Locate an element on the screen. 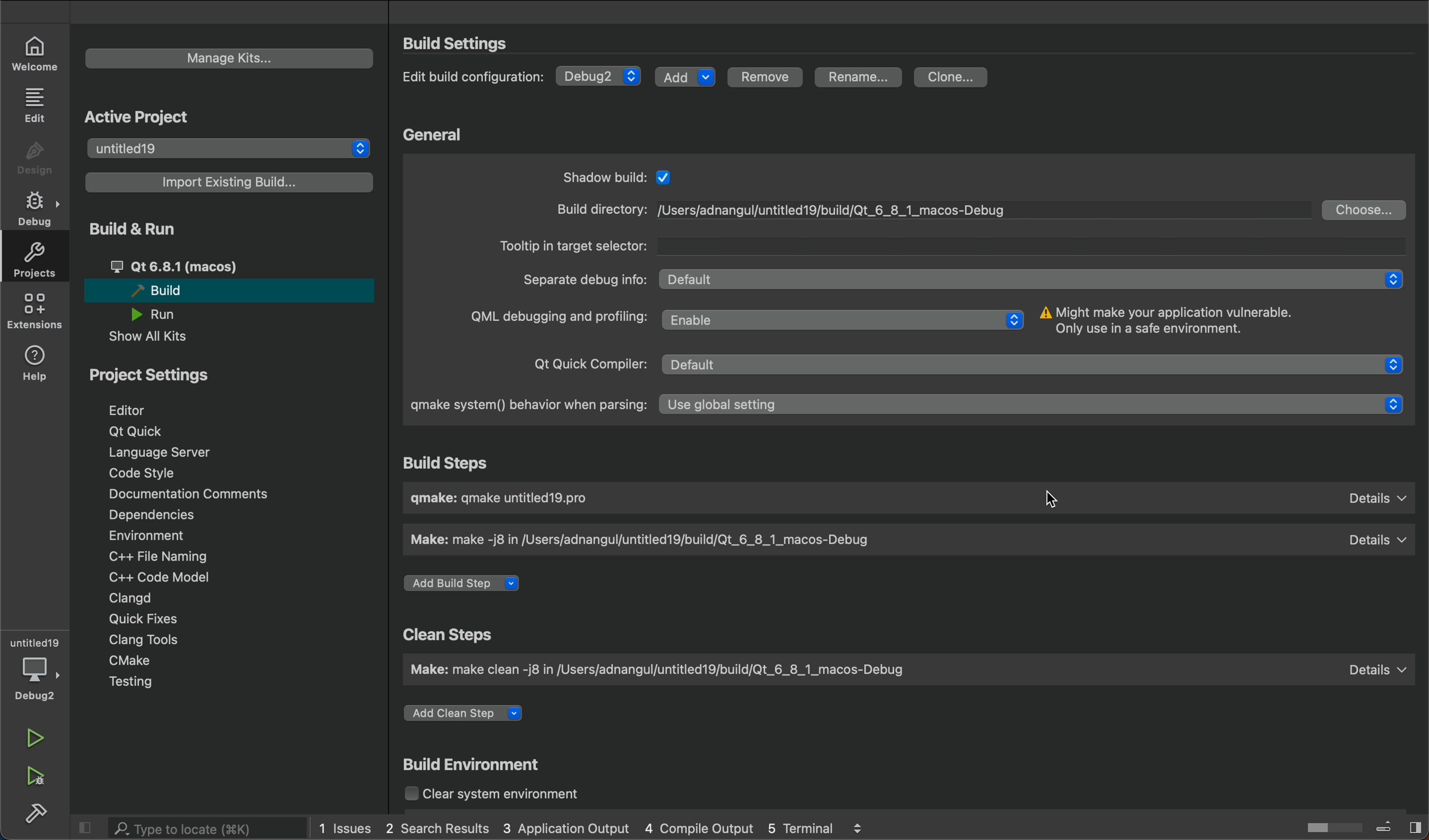 This screenshot has height=840, width=1429. Documentation  is located at coordinates (185, 494).